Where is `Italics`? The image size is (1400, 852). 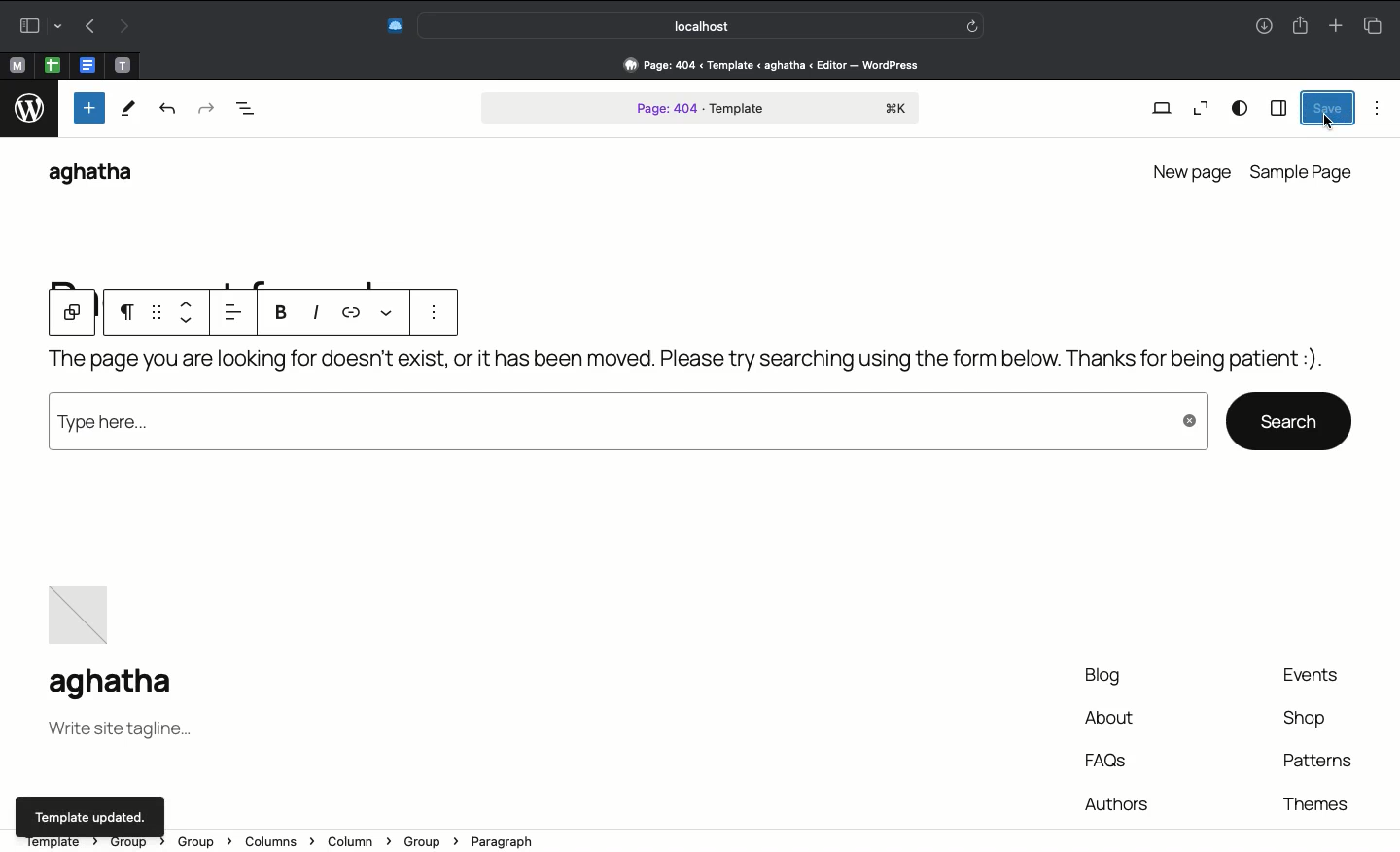 Italics is located at coordinates (319, 313).